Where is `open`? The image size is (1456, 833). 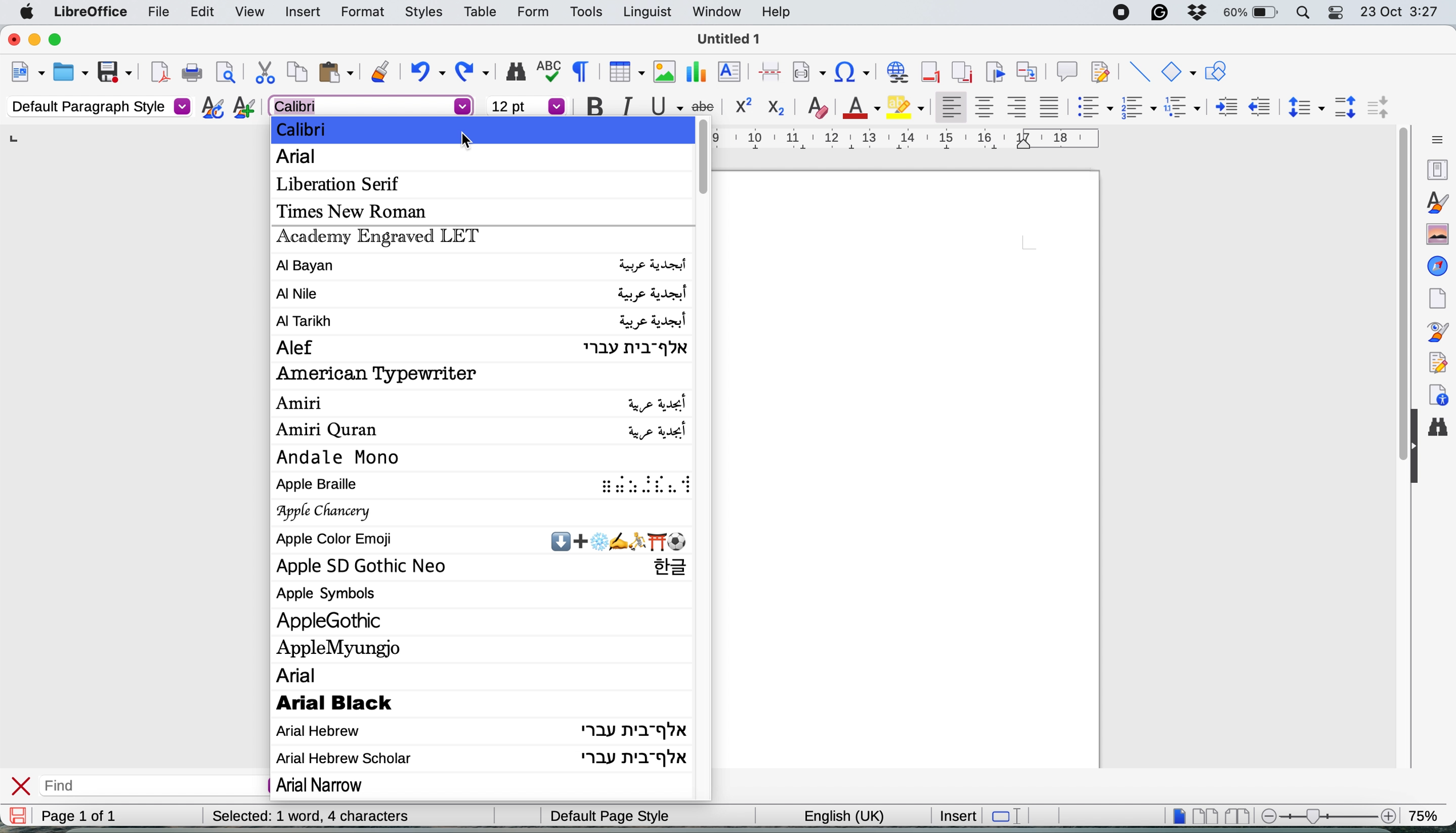 open is located at coordinates (71, 72).